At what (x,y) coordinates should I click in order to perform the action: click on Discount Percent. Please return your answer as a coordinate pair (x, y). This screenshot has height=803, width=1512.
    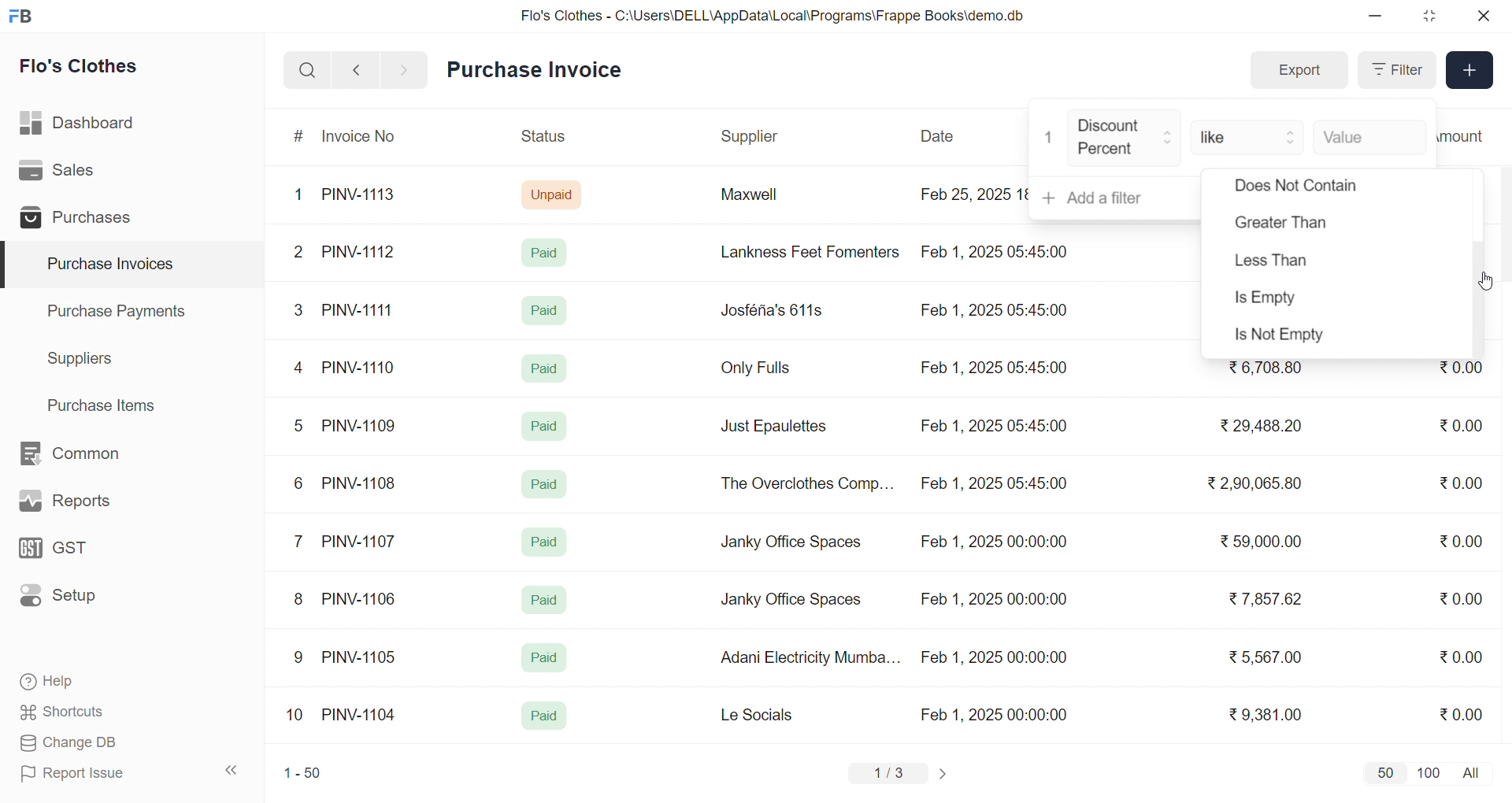
    Looking at the image, I should click on (1125, 139).